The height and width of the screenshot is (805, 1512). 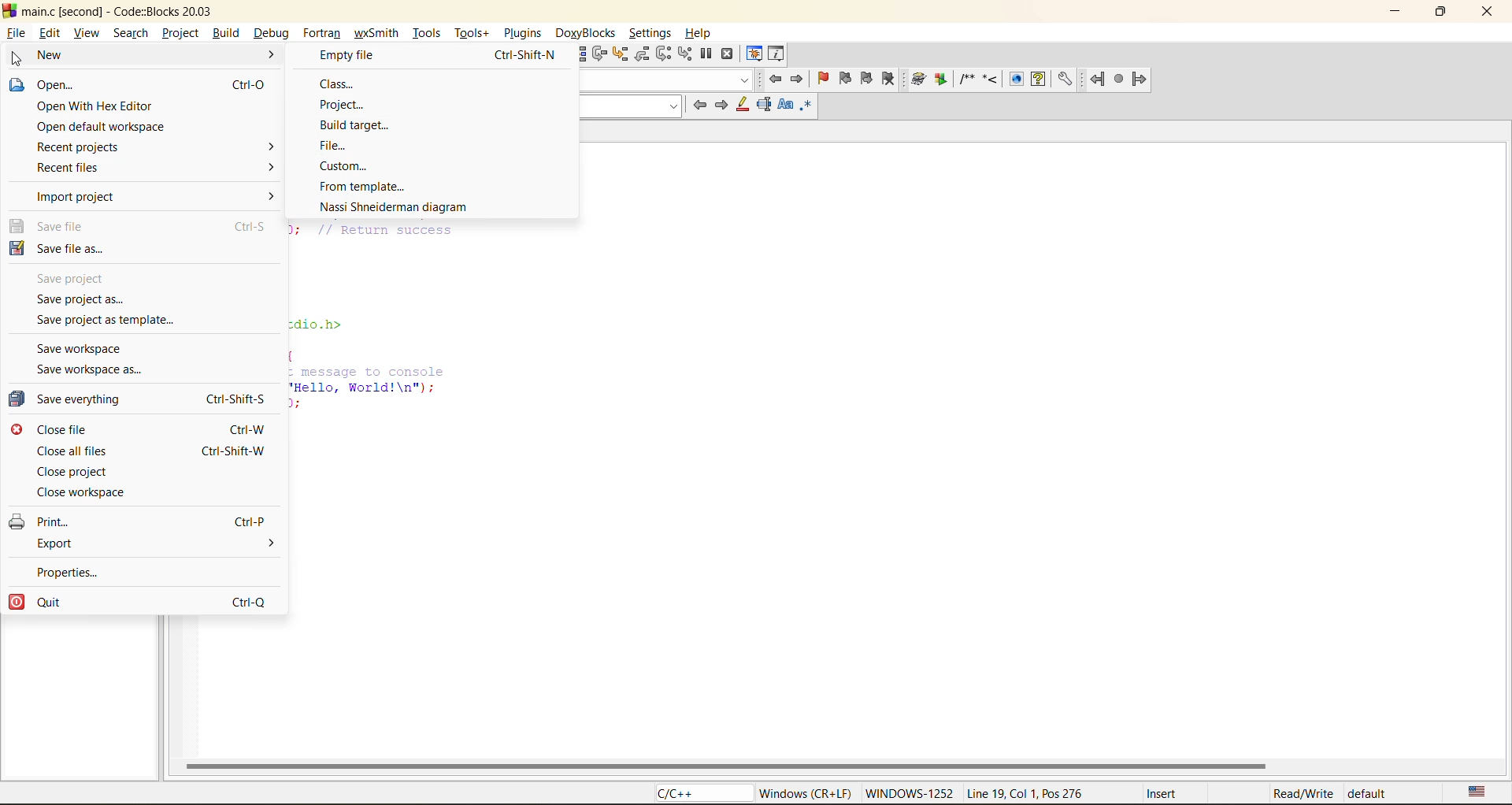 I want to click on >, so click(x=265, y=146).